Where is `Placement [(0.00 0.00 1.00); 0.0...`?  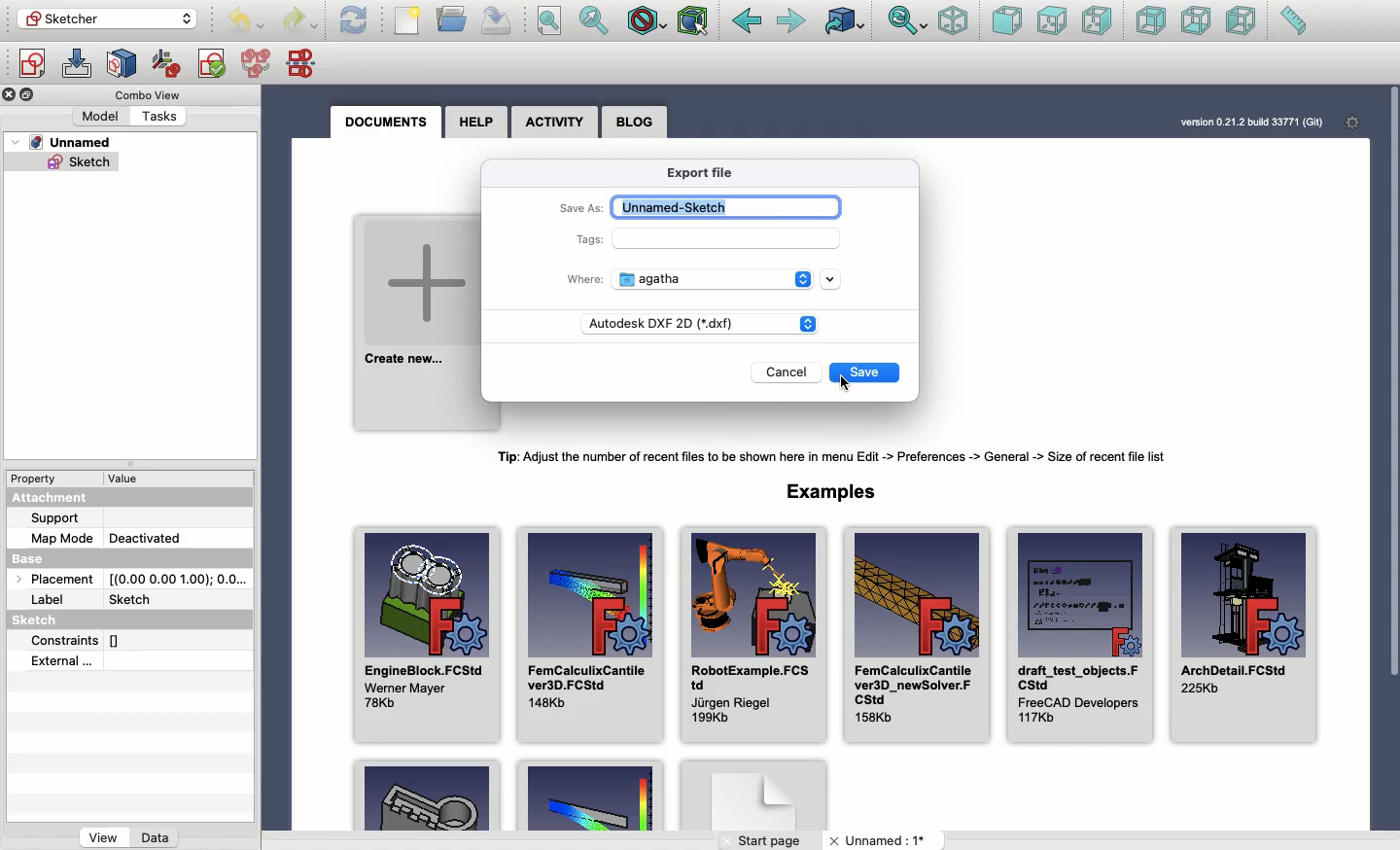
Placement [(0.00 0.00 1.00); 0.0... is located at coordinates (136, 582).